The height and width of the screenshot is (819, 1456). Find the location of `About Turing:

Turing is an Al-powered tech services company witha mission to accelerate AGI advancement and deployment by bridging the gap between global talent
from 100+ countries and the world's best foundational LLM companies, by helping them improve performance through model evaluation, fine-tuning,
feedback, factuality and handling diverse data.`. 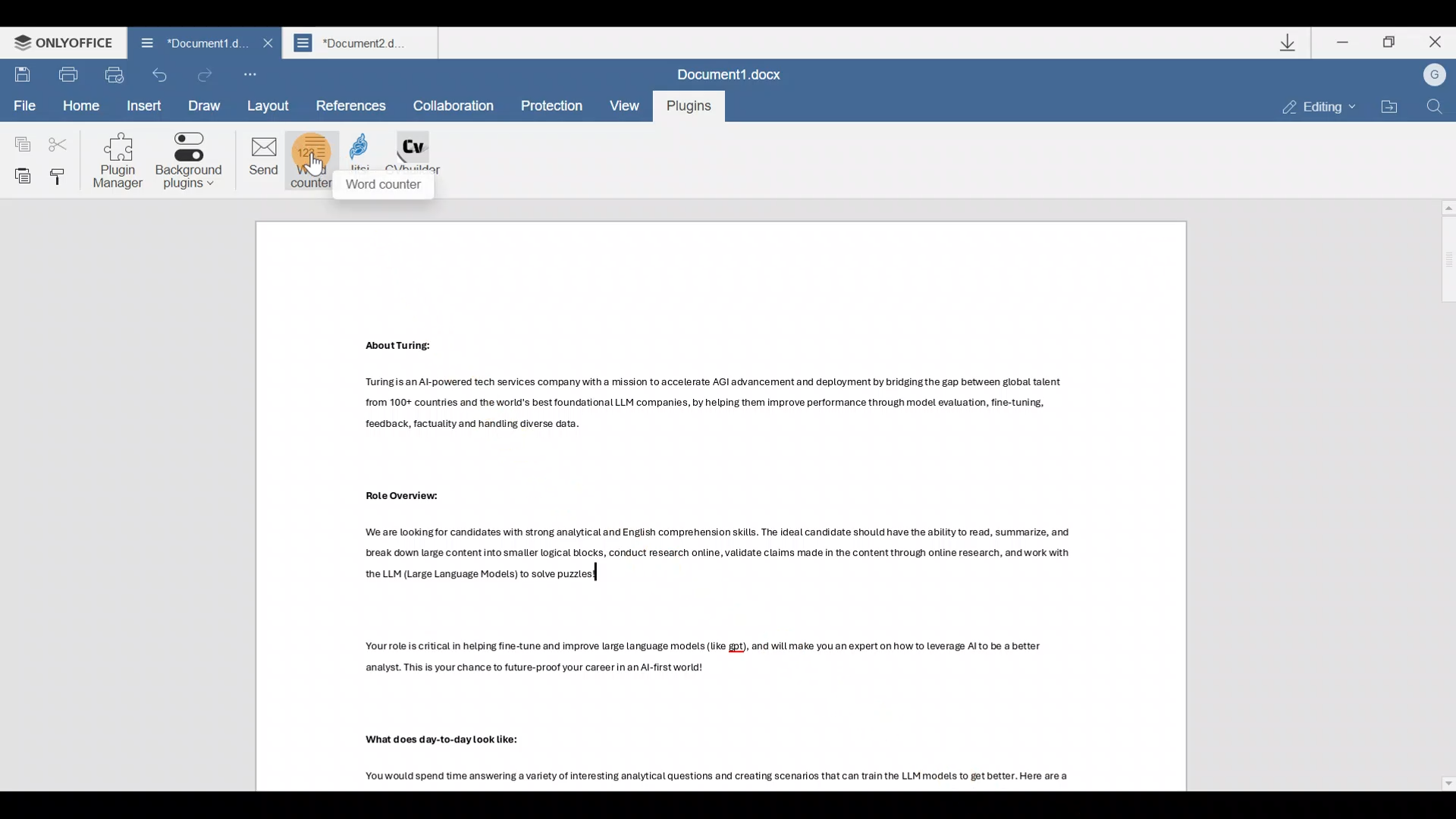

About Turing:

Turing is an Al-powered tech services company witha mission to accelerate AGI advancement and deployment by bridging the gap between global talent
from 100+ countries and the world's best foundational LLM companies, by helping them improve performance through model evaluation, fine-tuning,
feedback, factuality and handling diverse data. is located at coordinates (708, 387).